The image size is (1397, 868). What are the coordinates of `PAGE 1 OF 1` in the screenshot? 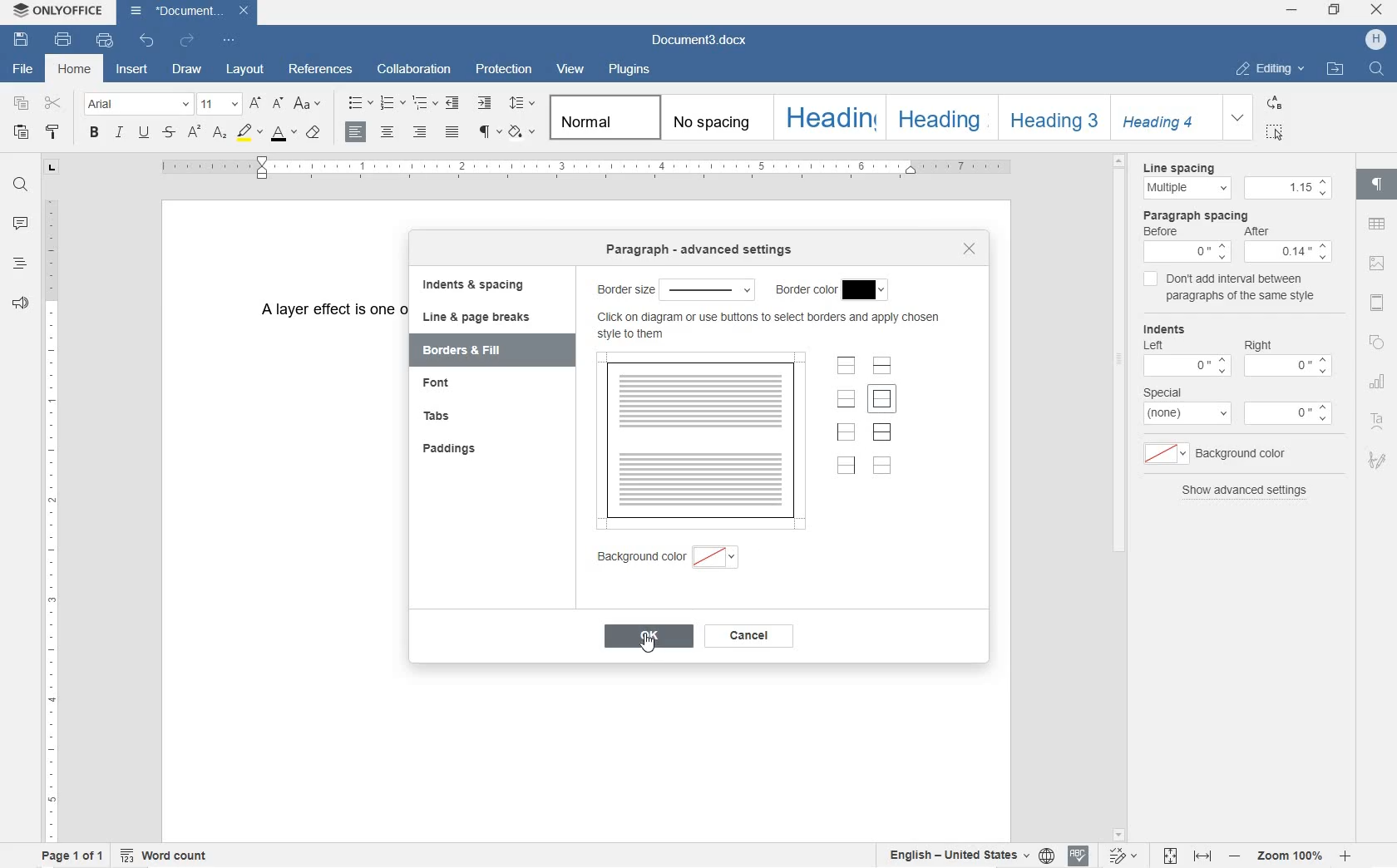 It's located at (72, 854).